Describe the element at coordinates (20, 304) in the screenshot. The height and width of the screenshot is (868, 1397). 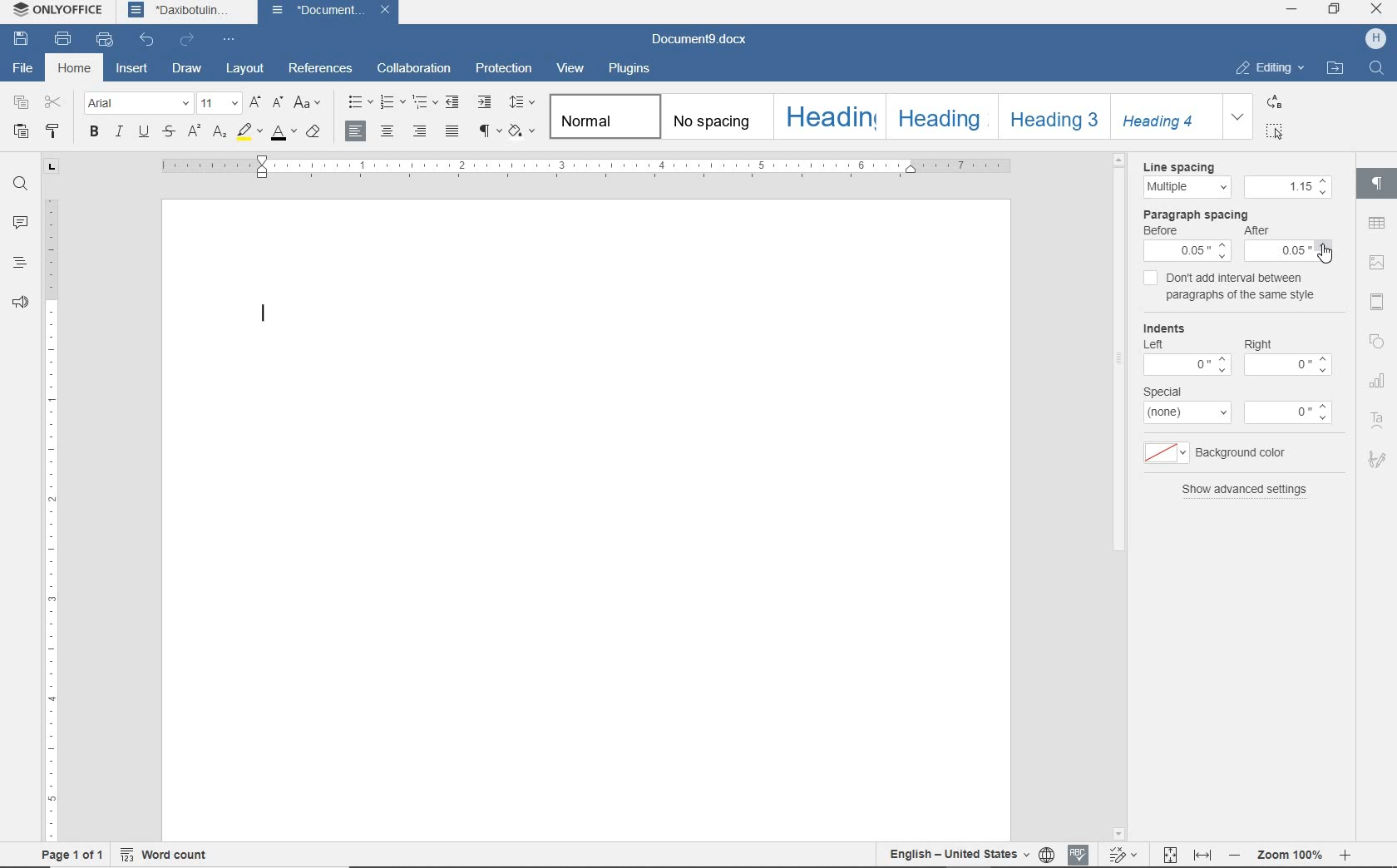
I see `feedback & support` at that location.